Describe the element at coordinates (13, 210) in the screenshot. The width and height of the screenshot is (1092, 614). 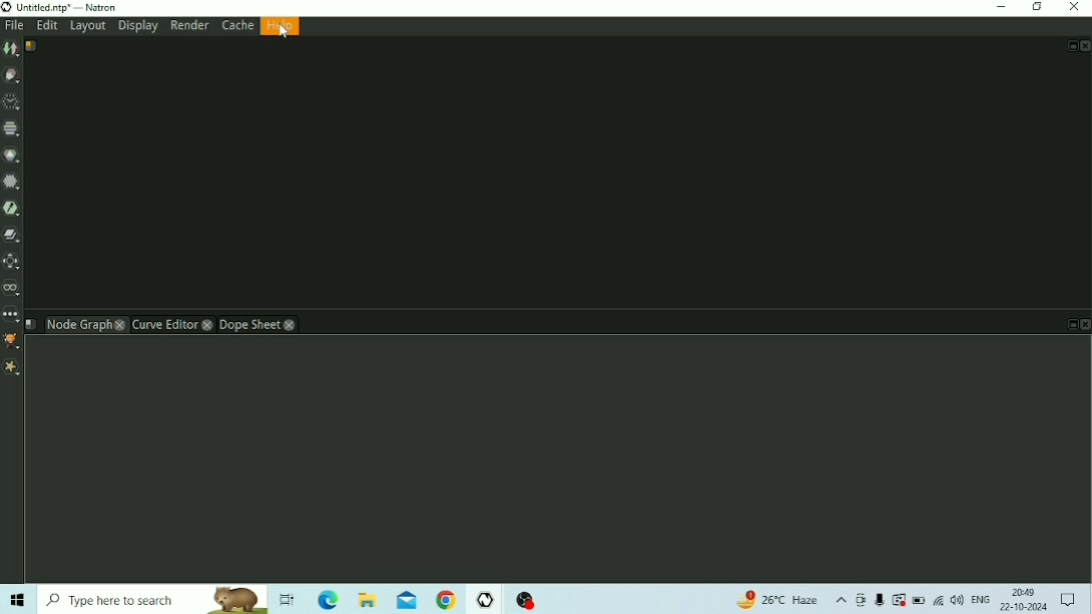
I see `Keyer` at that location.